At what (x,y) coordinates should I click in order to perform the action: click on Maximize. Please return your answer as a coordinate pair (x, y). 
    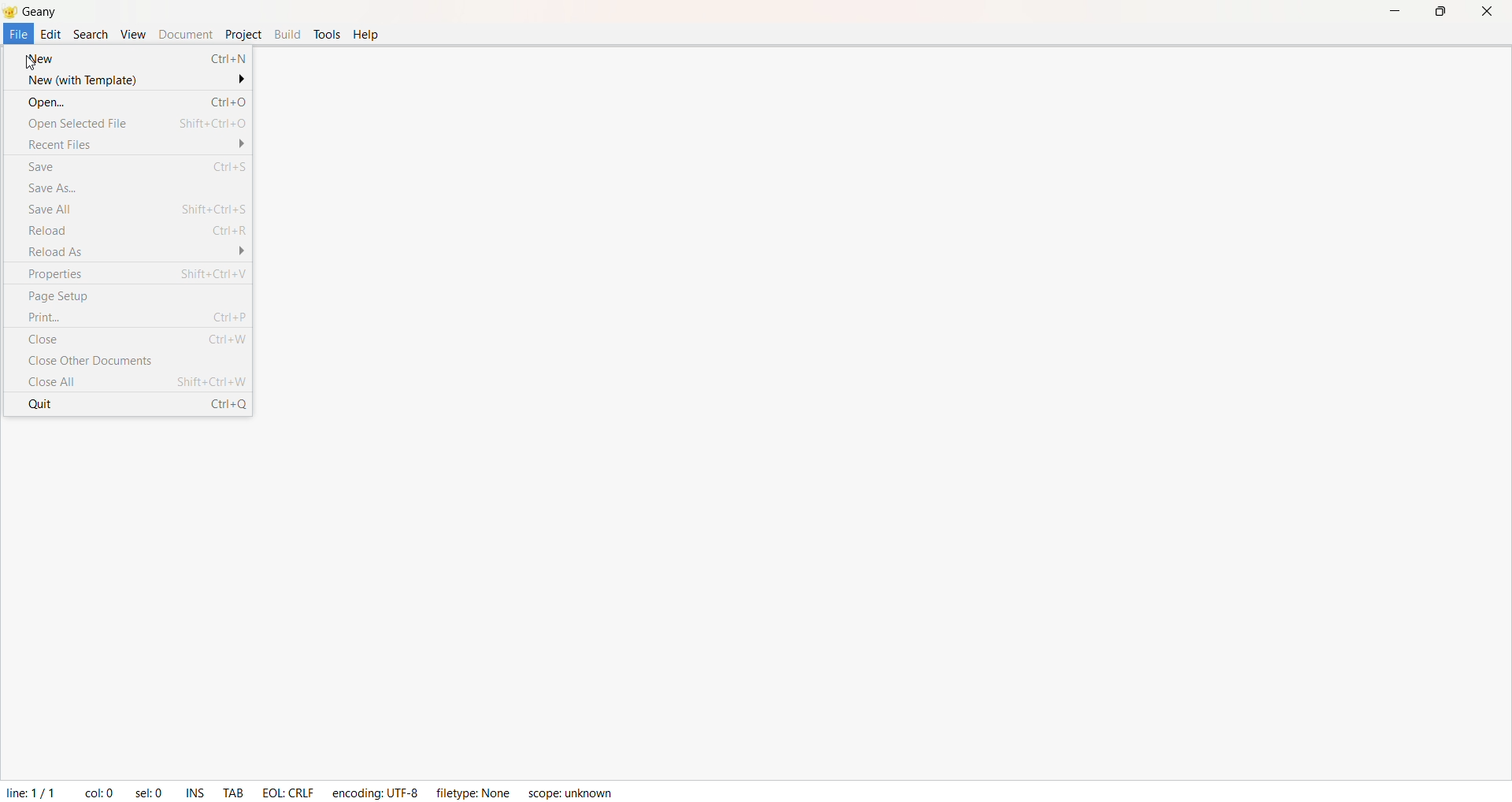
    Looking at the image, I should click on (1442, 13).